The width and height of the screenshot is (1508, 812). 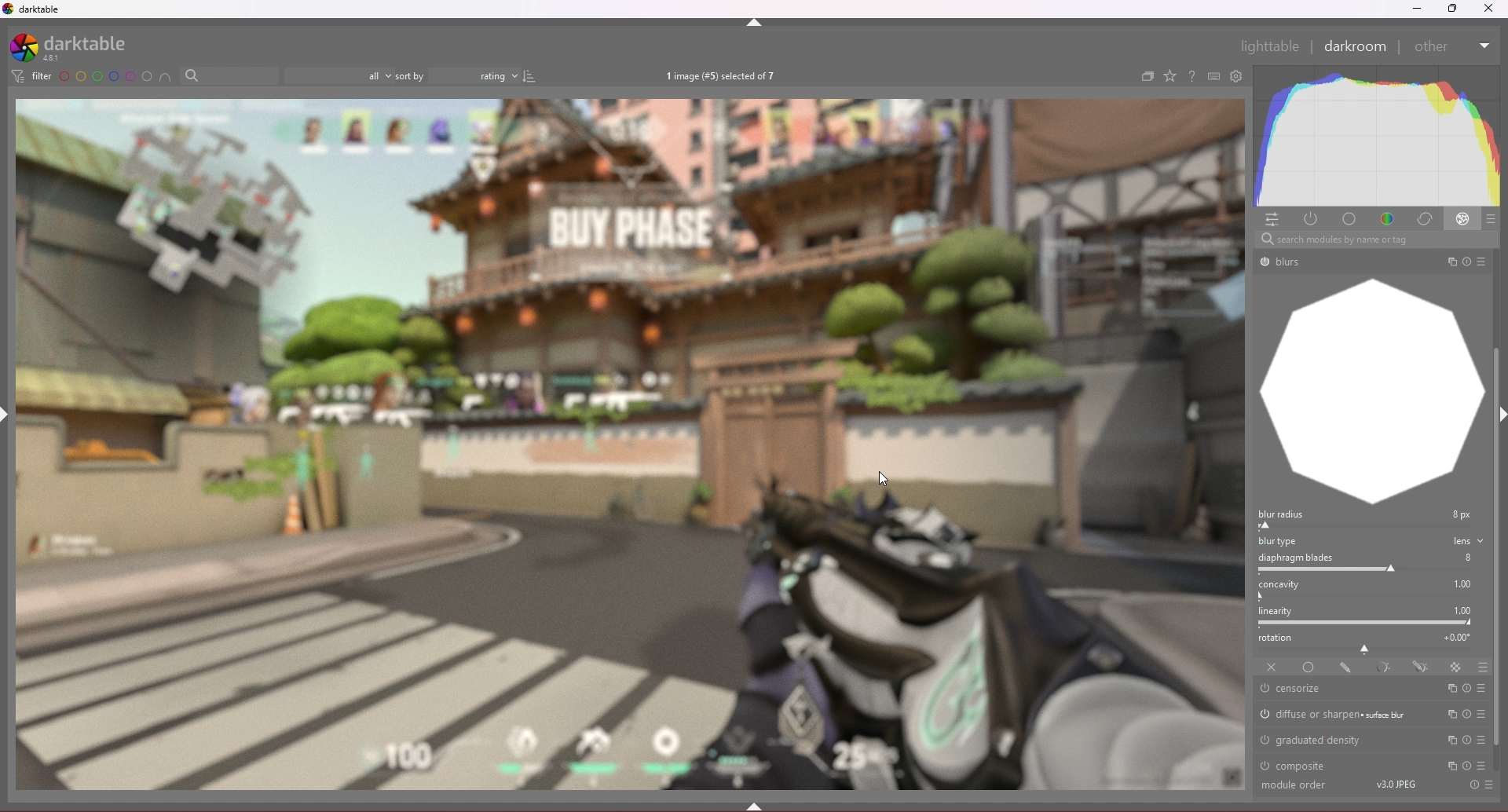 What do you see at coordinates (1484, 46) in the screenshot?
I see `` at bounding box center [1484, 46].